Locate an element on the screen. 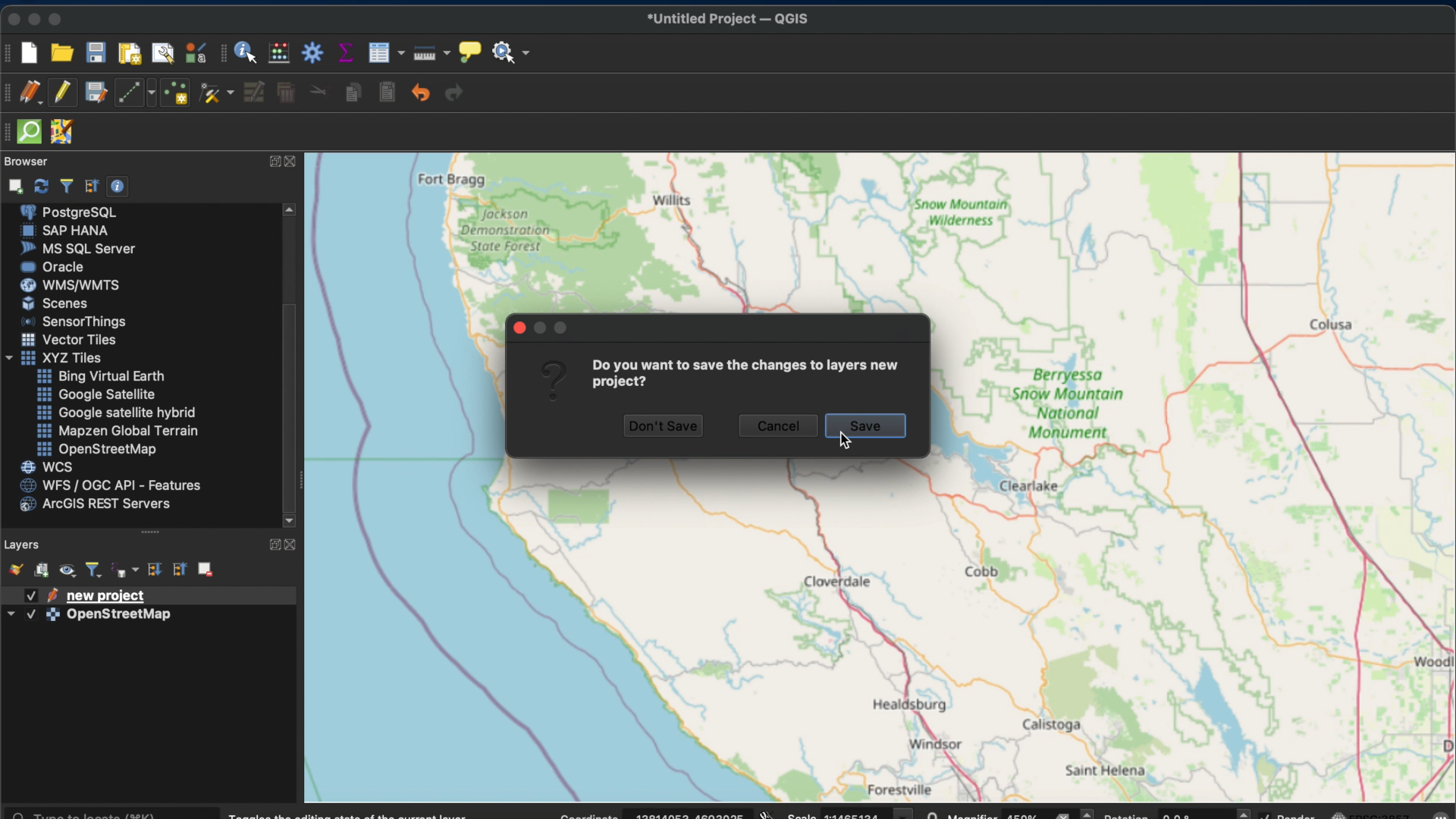  project toolbar is located at coordinates (9, 52).